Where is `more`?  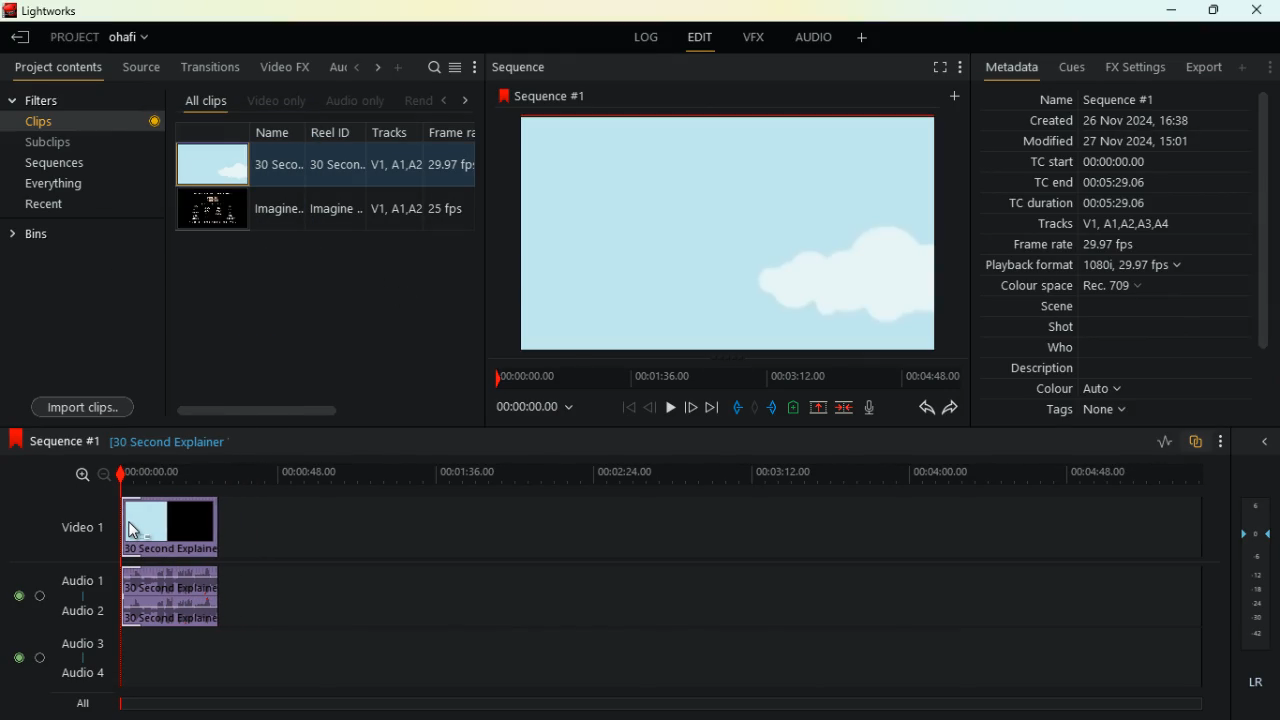 more is located at coordinates (1266, 69).